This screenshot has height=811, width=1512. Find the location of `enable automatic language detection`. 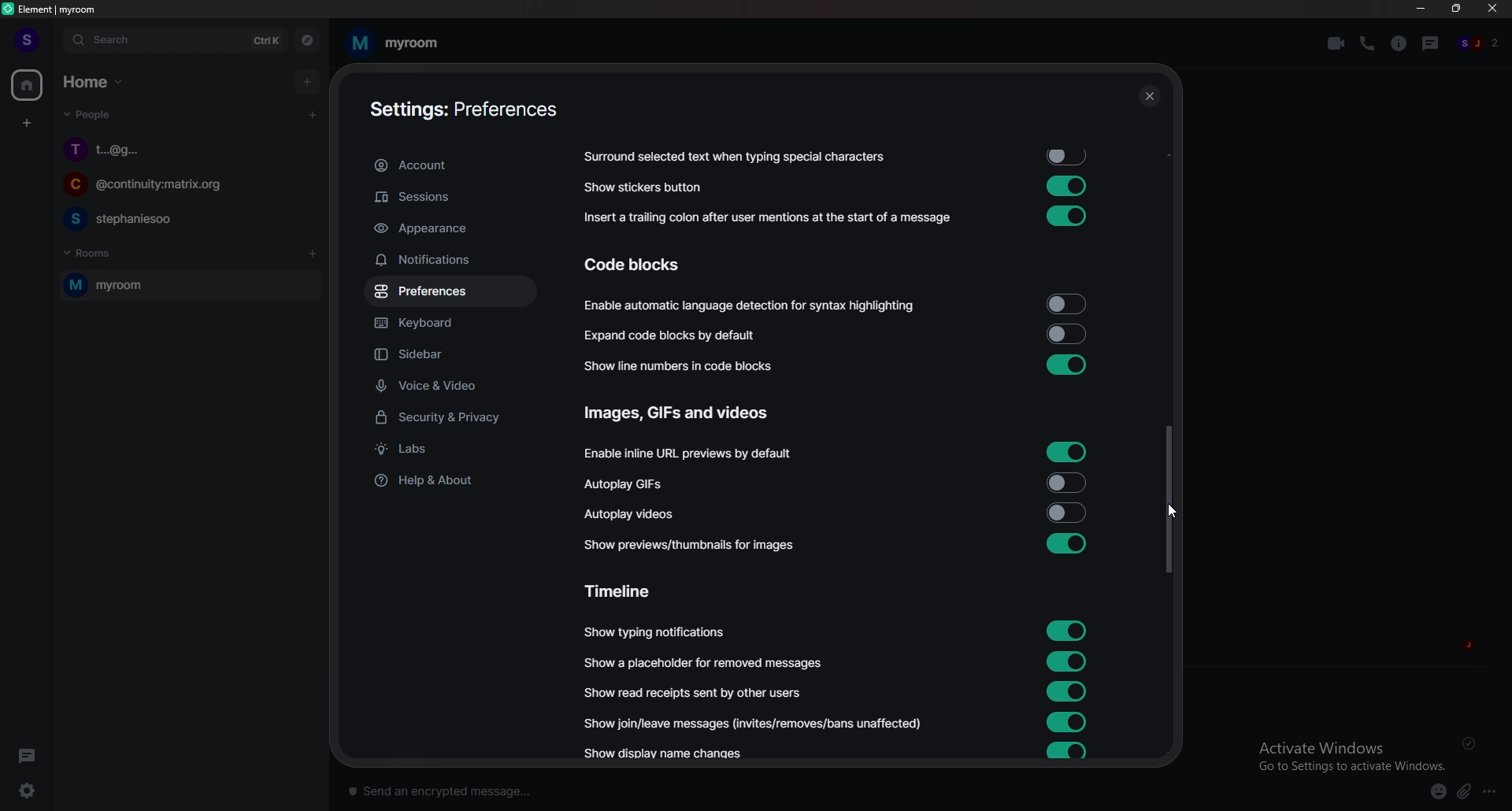

enable automatic language detection is located at coordinates (751, 307).